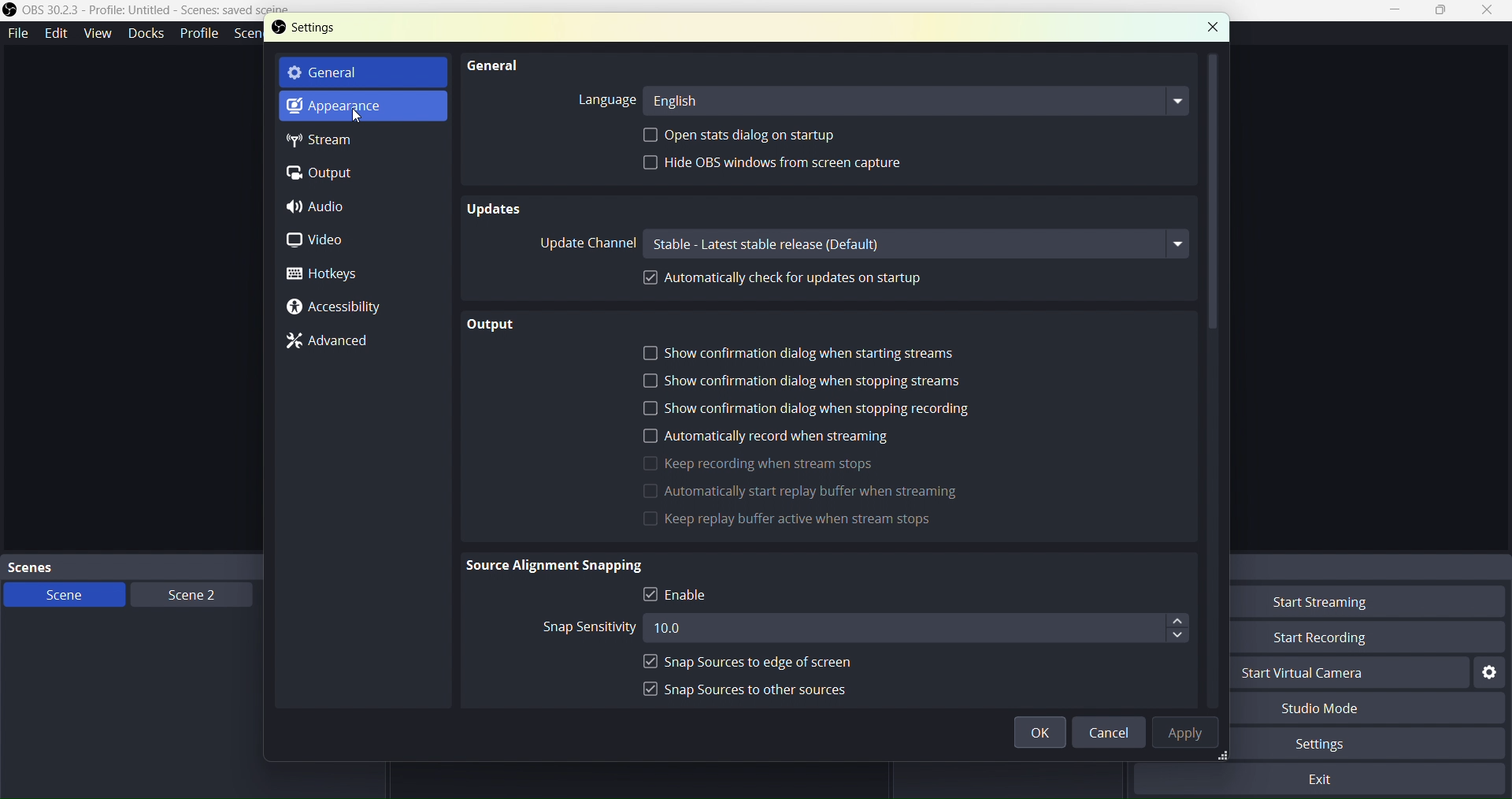 The image size is (1512, 799). Describe the element at coordinates (353, 110) in the screenshot. I see `Appereance` at that location.